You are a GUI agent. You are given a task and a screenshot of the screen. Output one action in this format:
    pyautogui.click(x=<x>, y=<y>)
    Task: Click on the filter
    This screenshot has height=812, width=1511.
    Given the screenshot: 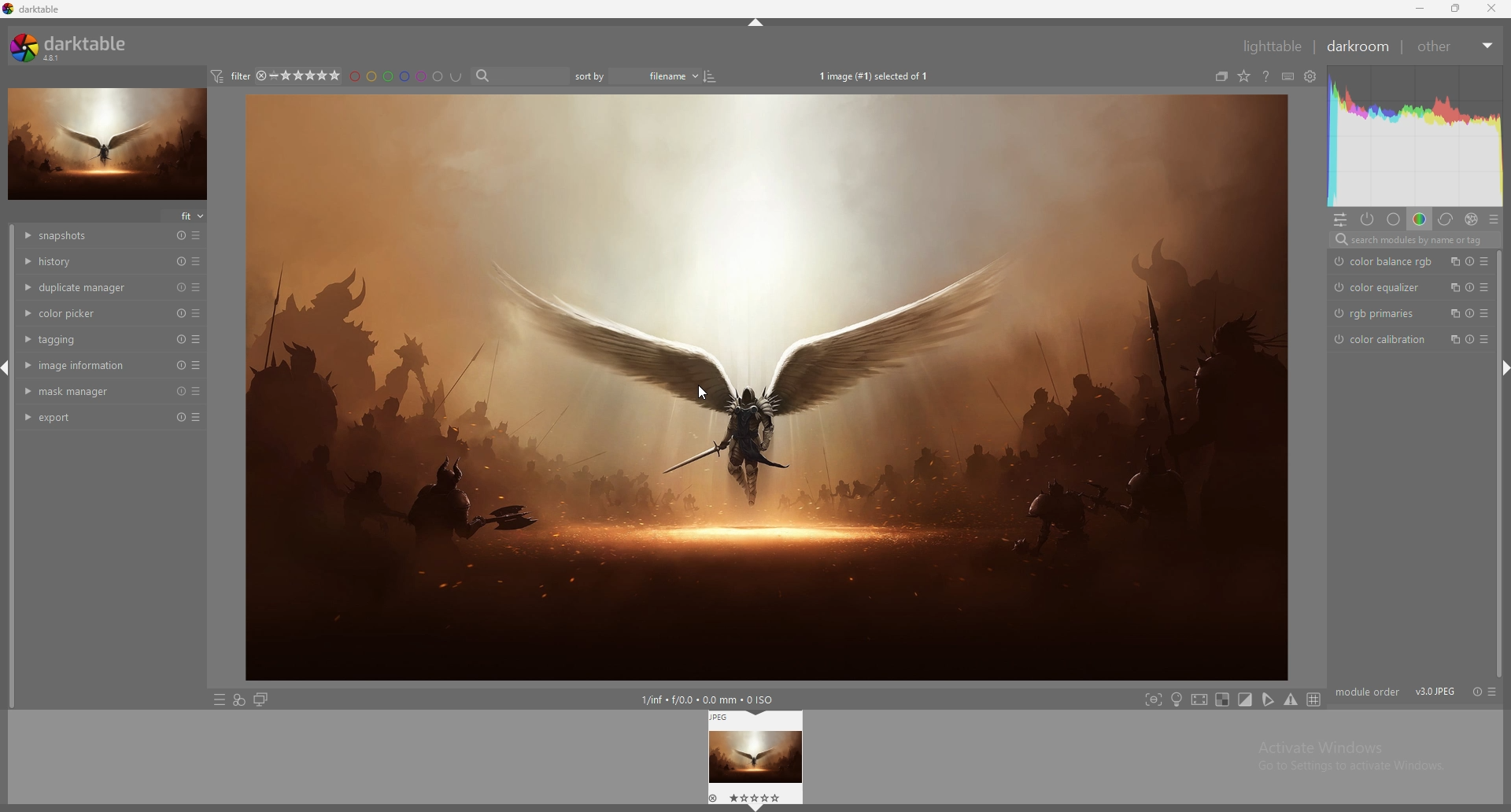 What is the action you would take?
    pyautogui.click(x=232, y=76)
    